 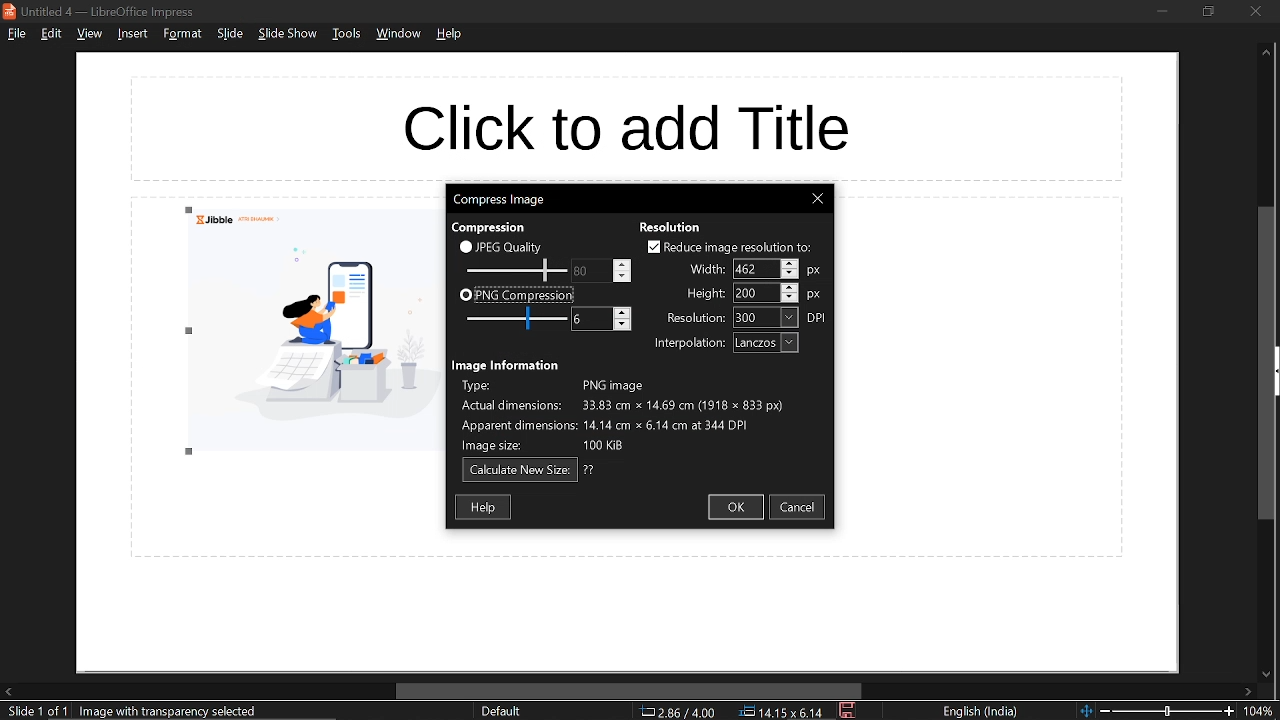 What do you see at coordinates (485, 506) in the screenshot?
I see `help` at bounding box center [485, 506].